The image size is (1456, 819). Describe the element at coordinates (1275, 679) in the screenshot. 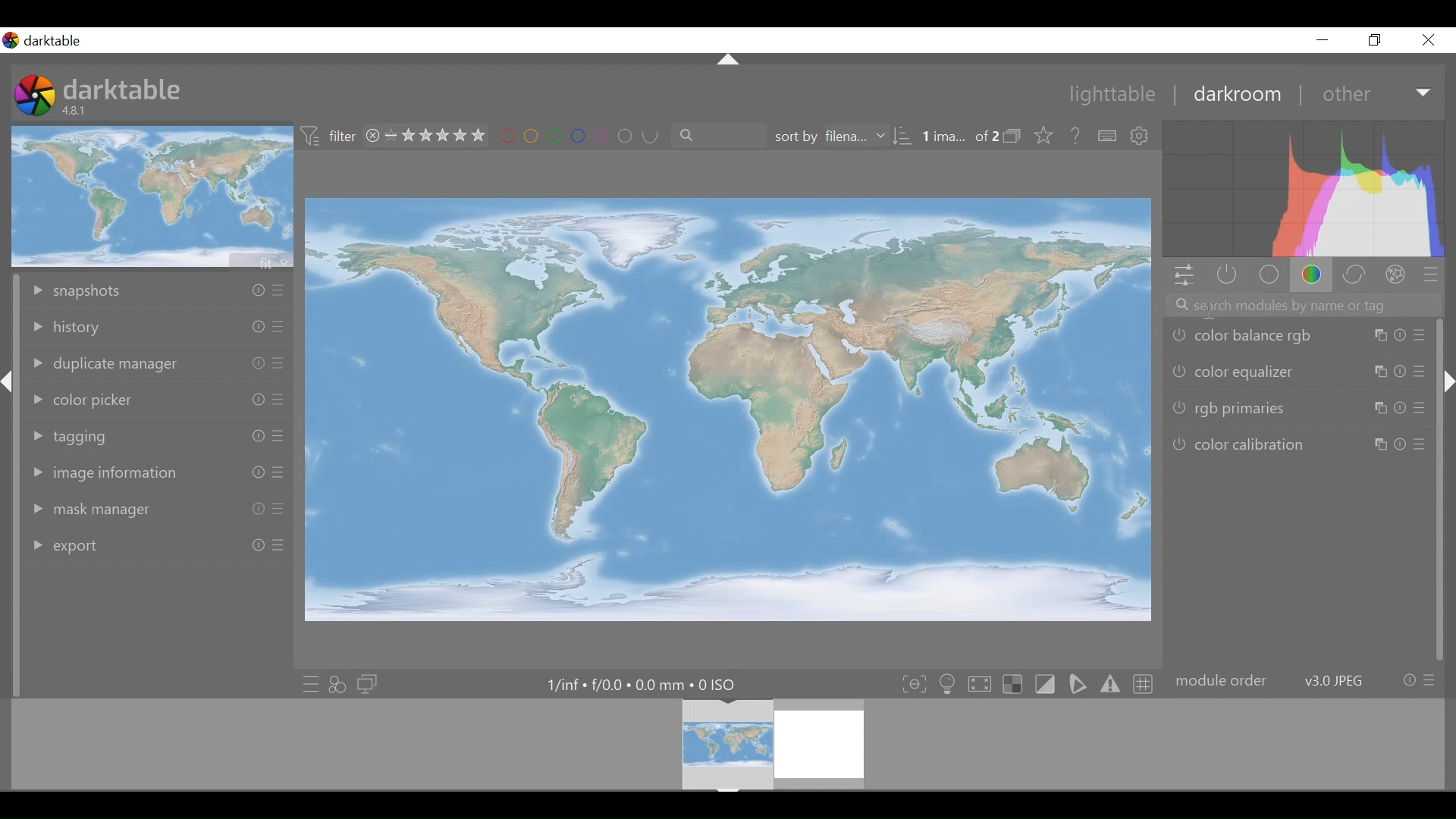

I see `module order` at that location.